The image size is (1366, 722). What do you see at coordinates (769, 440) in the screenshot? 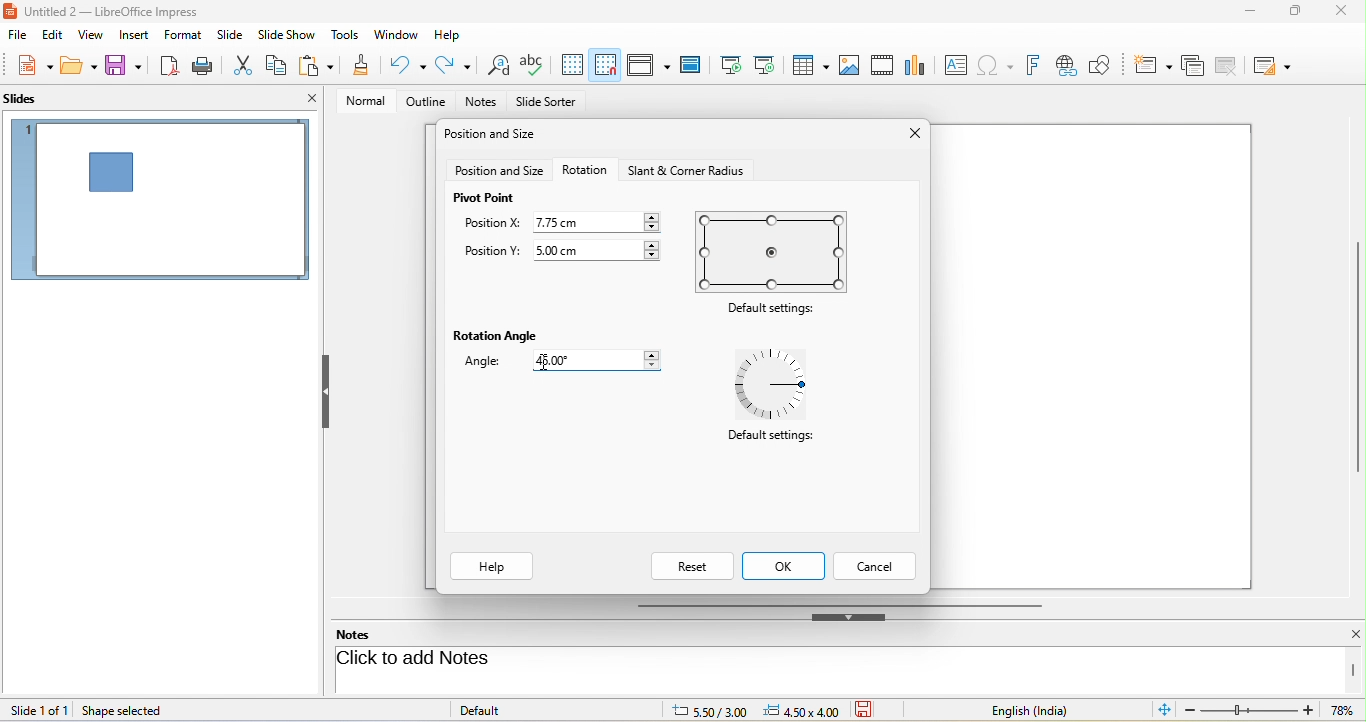
I see `default settings` at bounding box center [769, 440].